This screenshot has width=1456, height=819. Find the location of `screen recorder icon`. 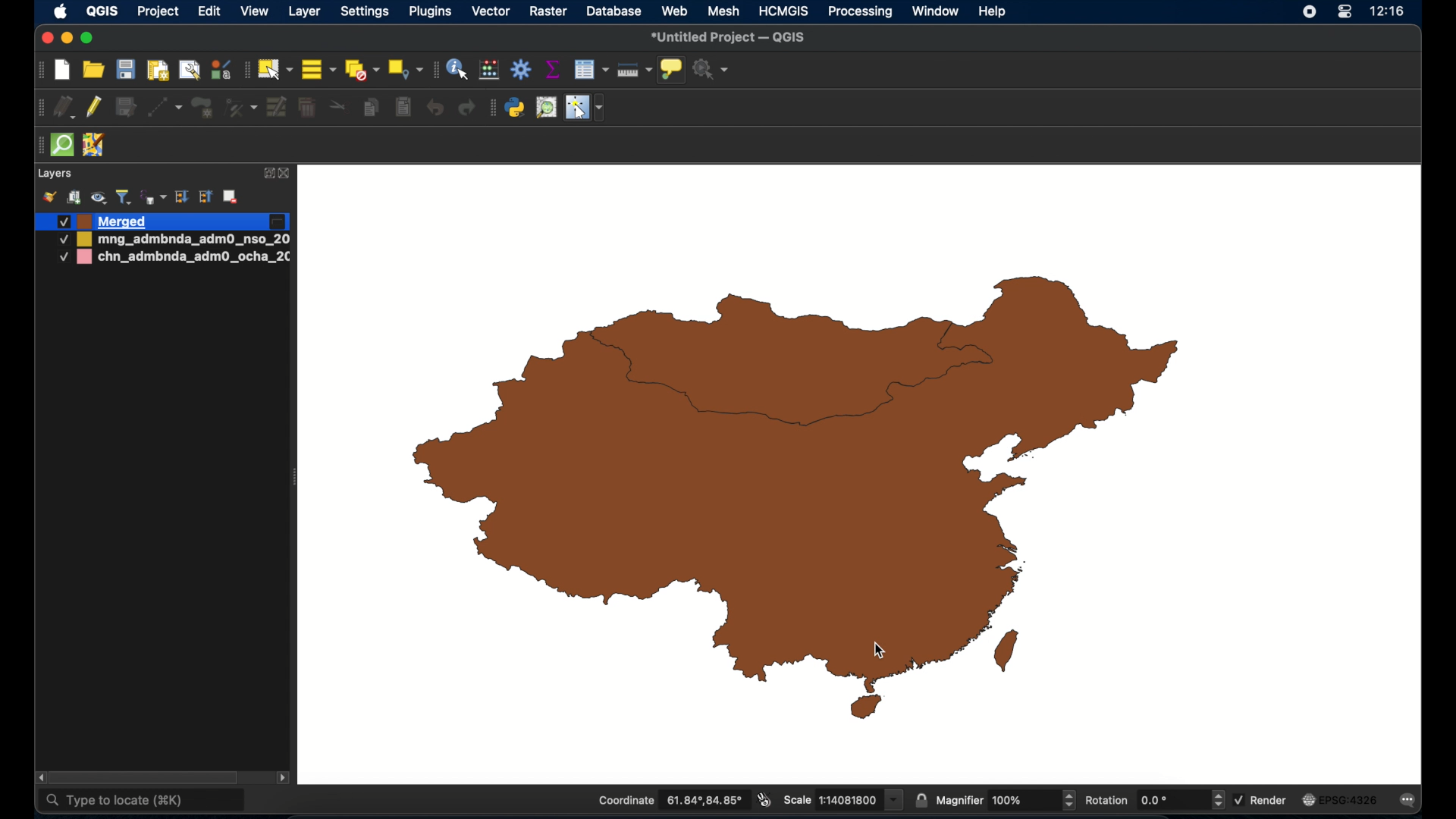

screen recorder icon is located at coordinates (1307, 12).